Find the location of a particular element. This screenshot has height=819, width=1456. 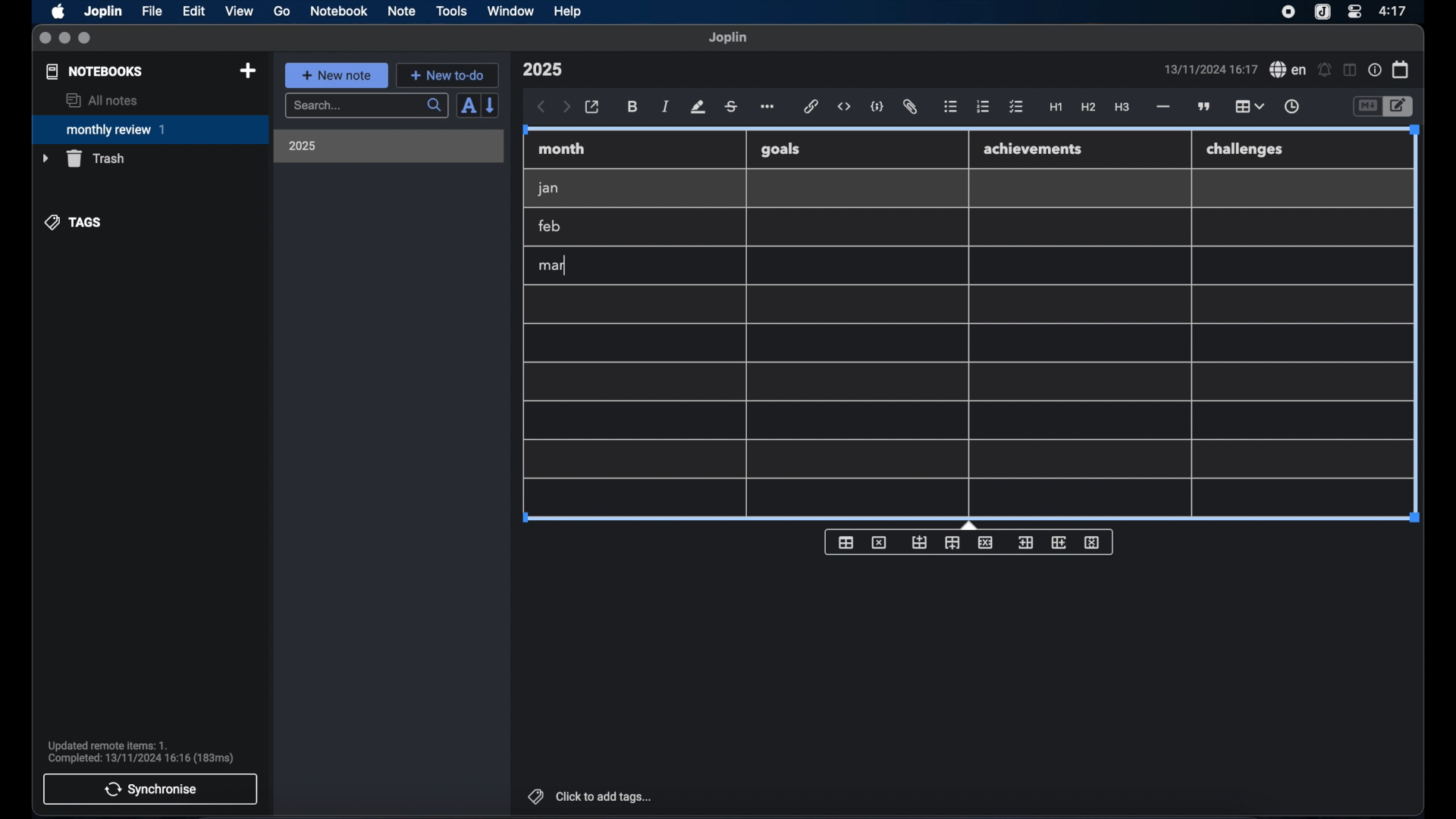

block quotes is located at coordinates (1205, 107).